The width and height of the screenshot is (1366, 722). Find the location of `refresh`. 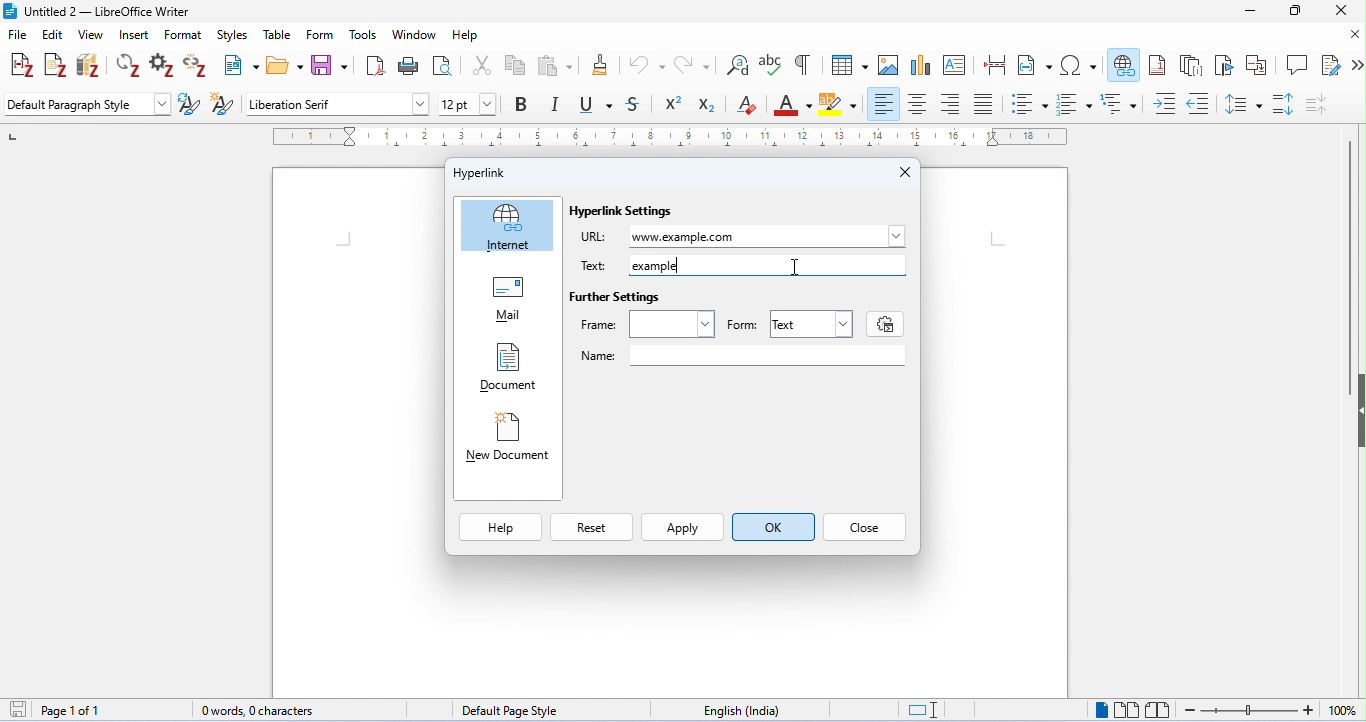

refresh is located at coordinates (129, 66).